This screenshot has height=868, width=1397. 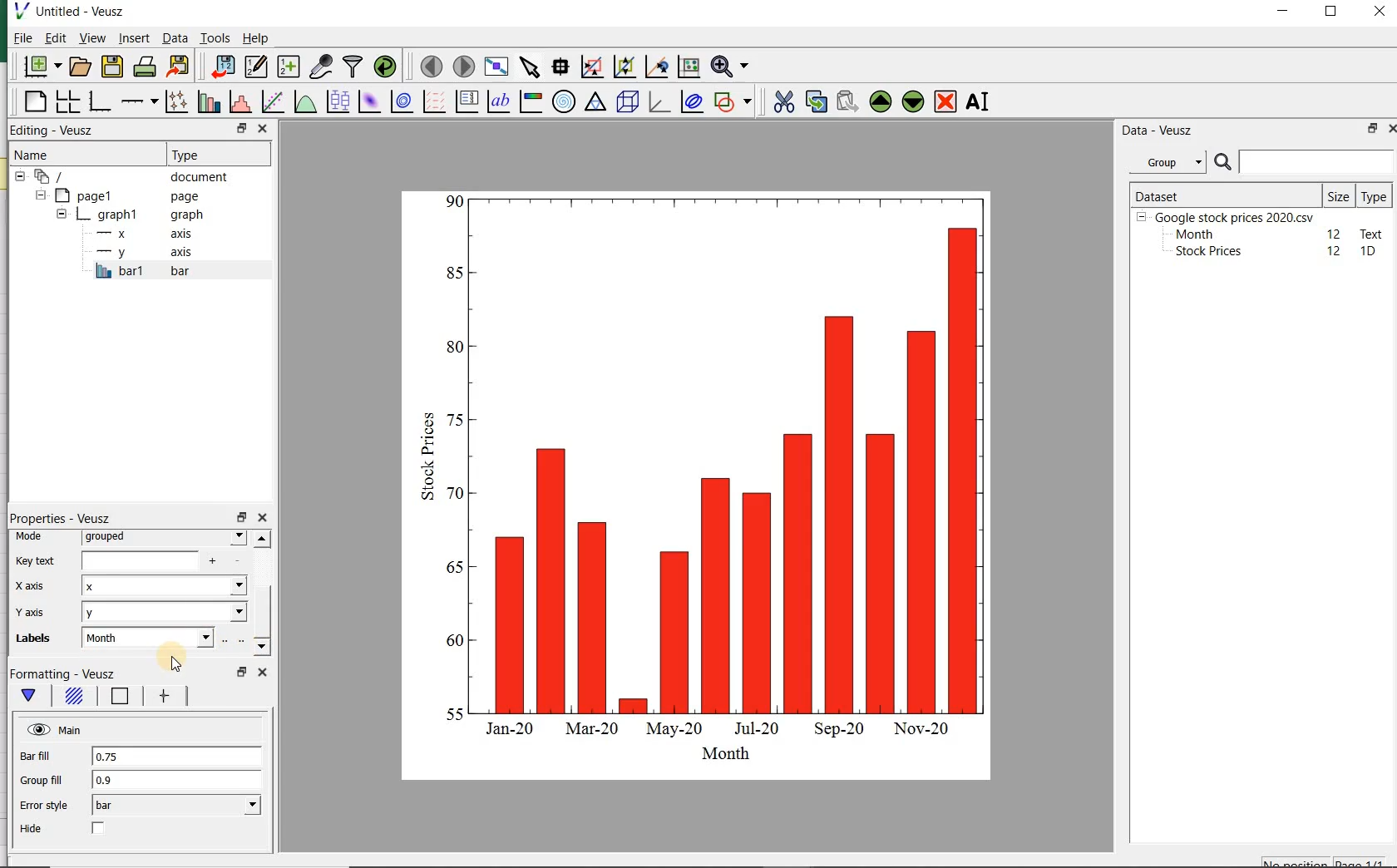 What do you see at coordinates (591, 67) in the screenshot?
I see `click or draw a rectangle to zoom graph axes` at bounding box center [591, 67].